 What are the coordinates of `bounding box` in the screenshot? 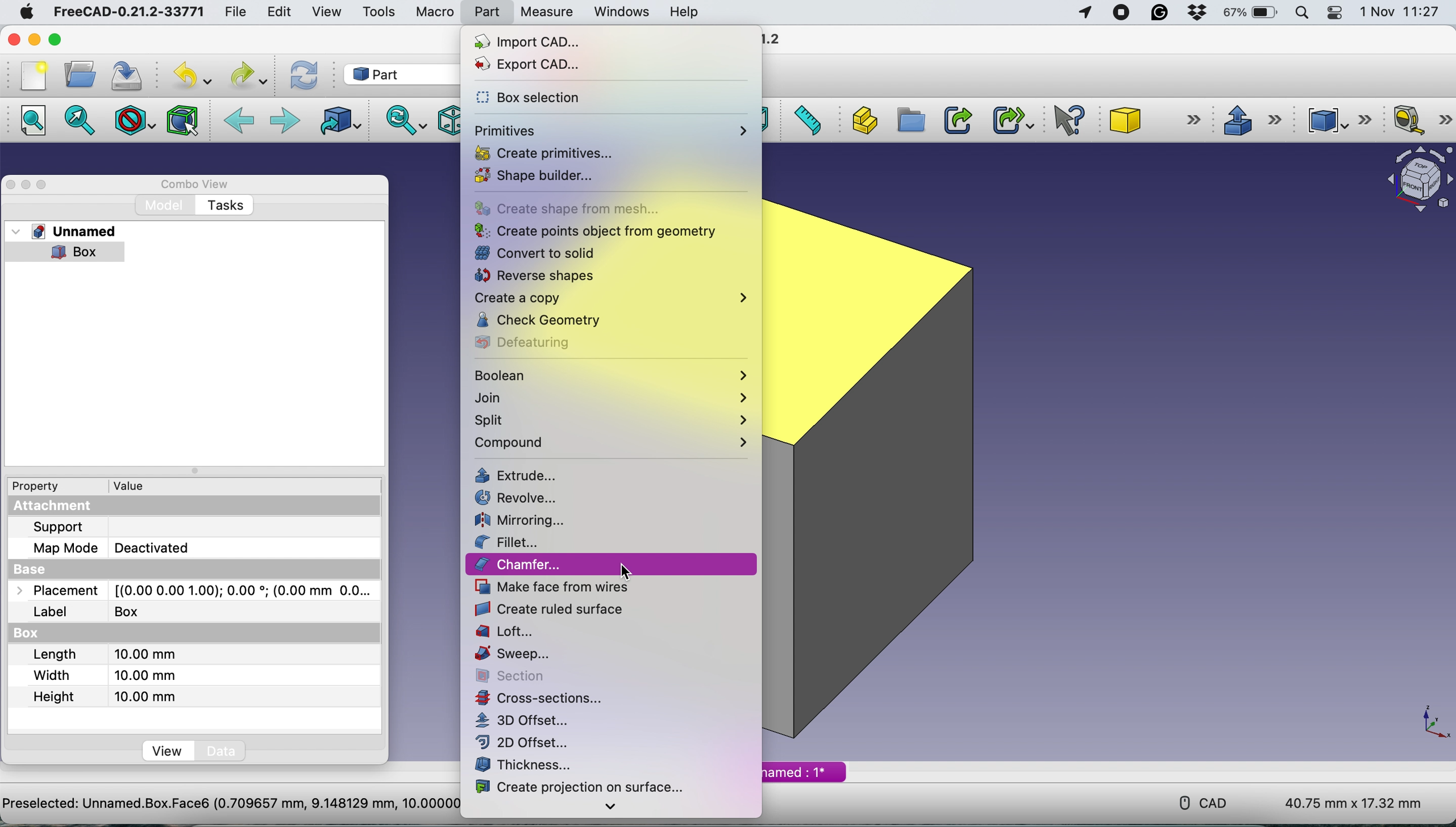 It's located at (181, 121).